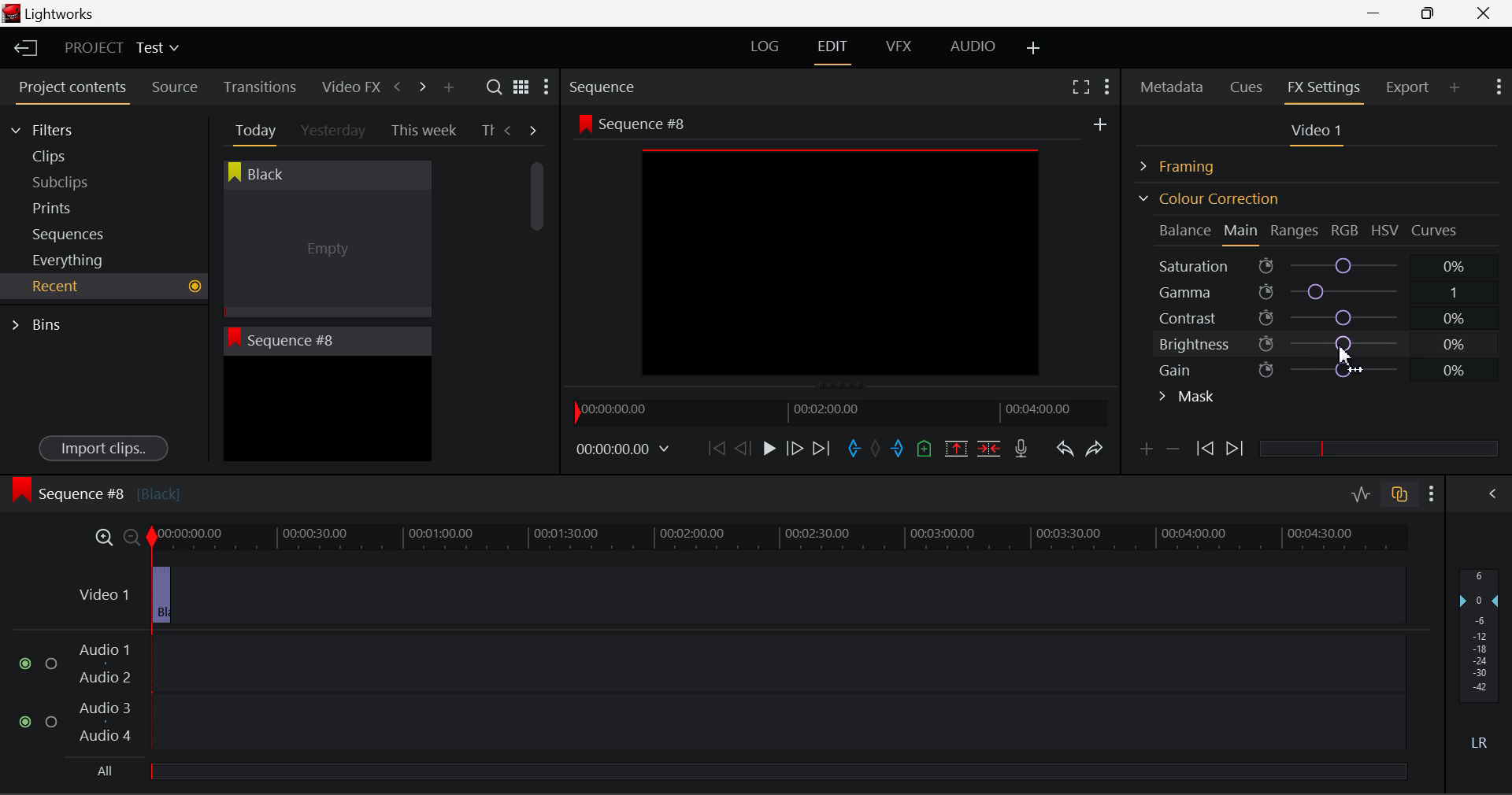 This screenshot has height=795, width=1512. Describe the element at coordinates (76, 182) in the screenshot. I see `Subclips` at that location.